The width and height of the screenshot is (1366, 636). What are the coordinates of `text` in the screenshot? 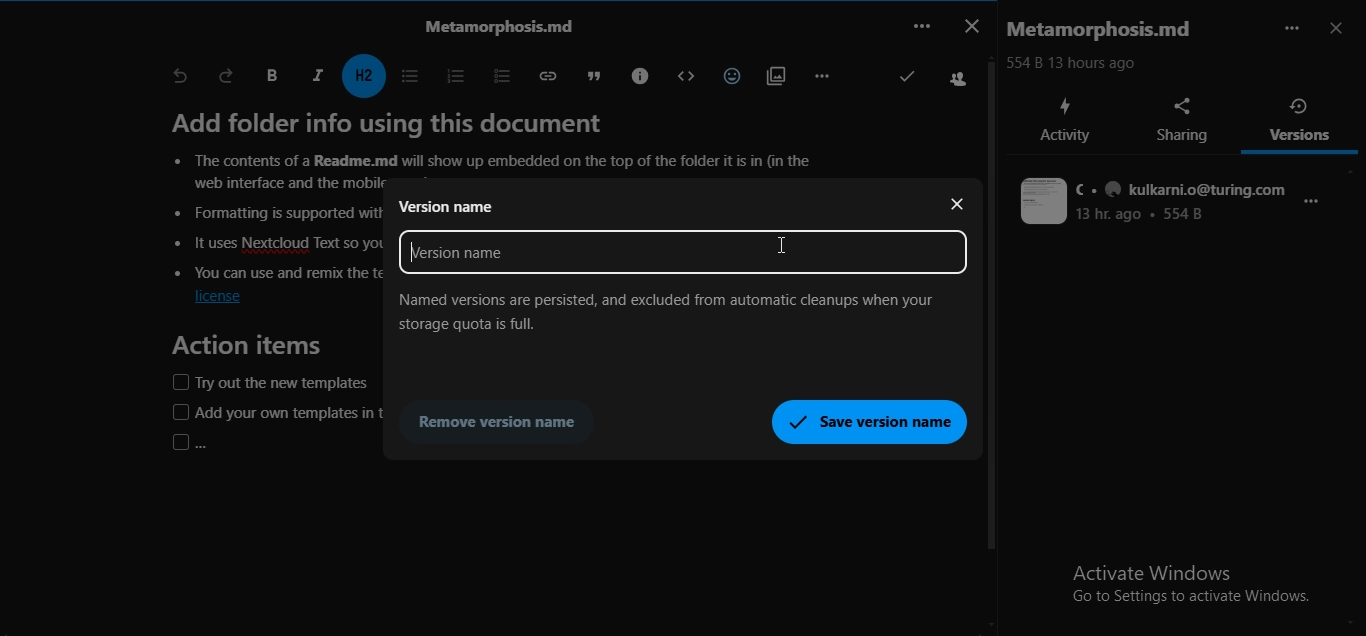 It's located at (1106, 30).